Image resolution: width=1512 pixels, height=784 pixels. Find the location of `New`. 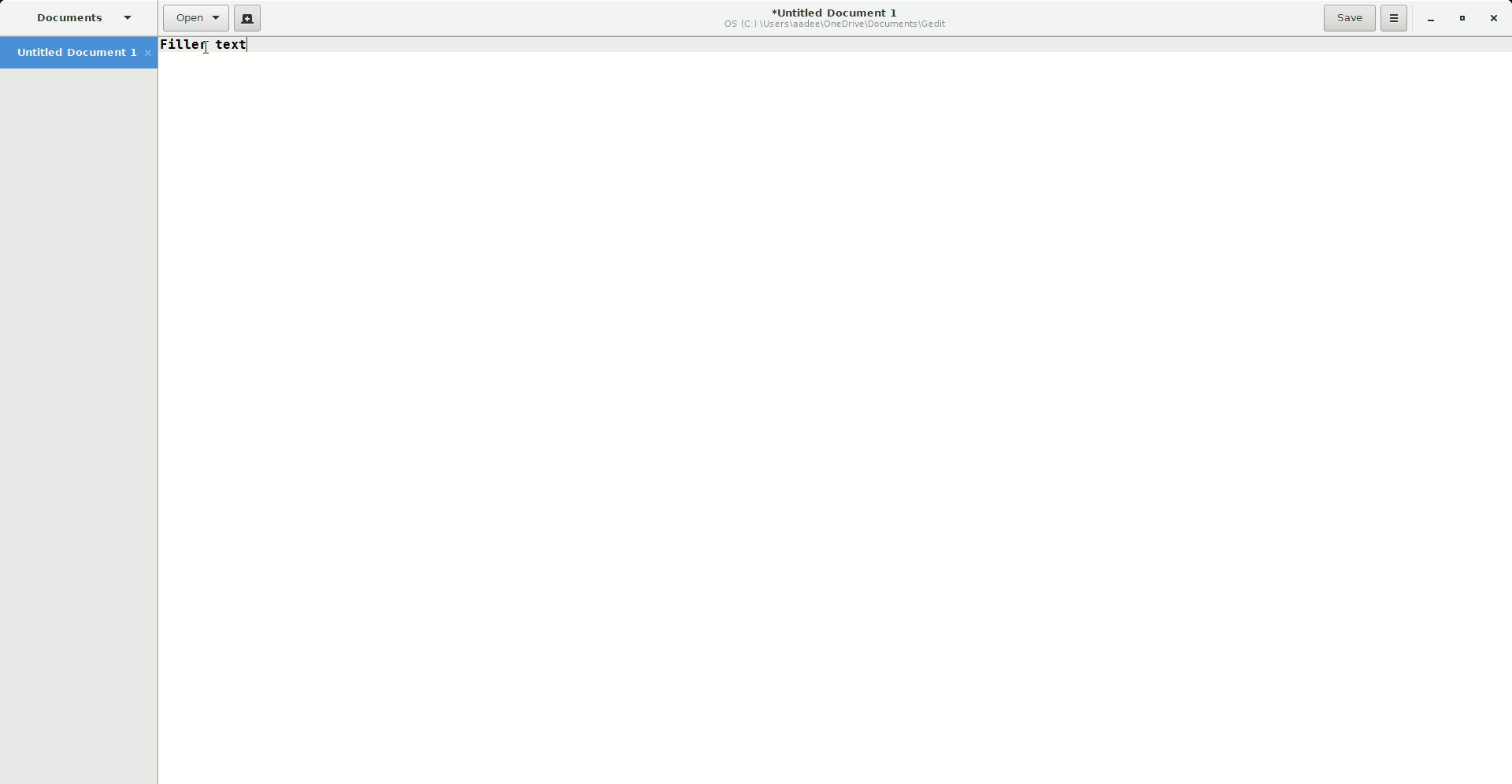

New is located at coordinates (248, 19).